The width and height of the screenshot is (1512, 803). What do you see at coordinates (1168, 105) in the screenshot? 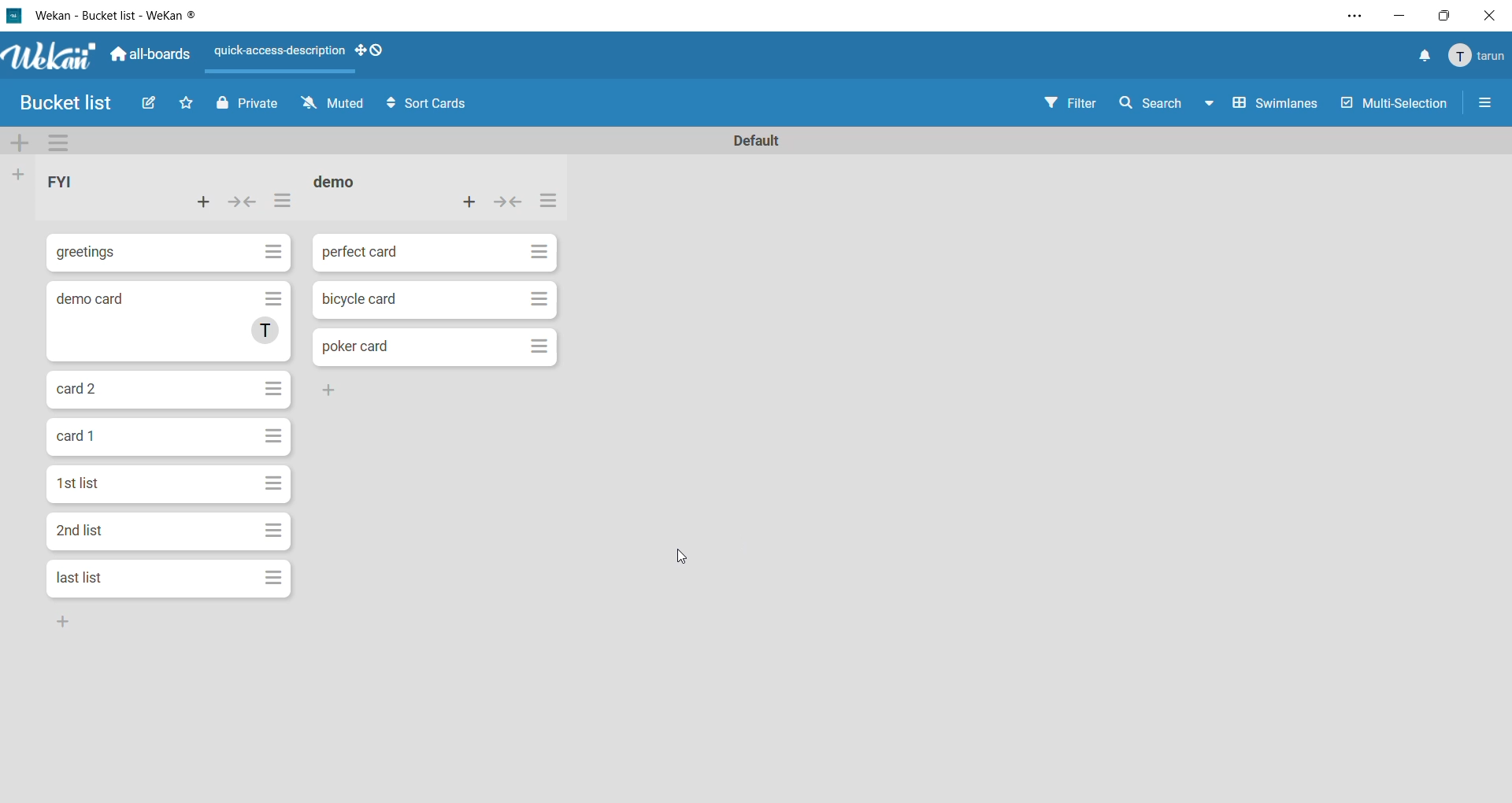
I see `search` at bounding box center [1168, 105].